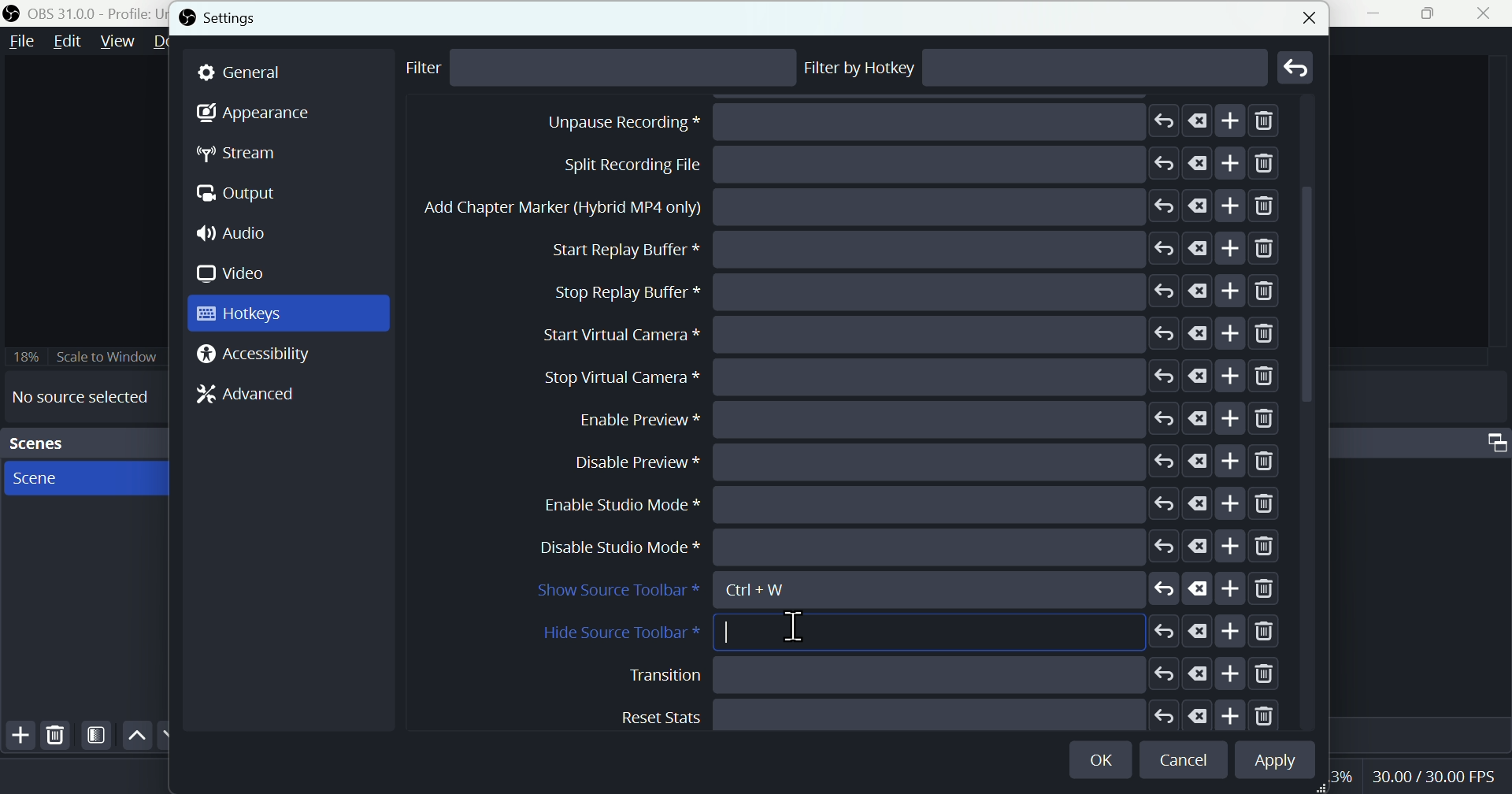 Image resolution: width=1512 pixels, height=794 pixels. Describe the element at coordinates (245, 195) in the screenshot. I see `Output` at that location.